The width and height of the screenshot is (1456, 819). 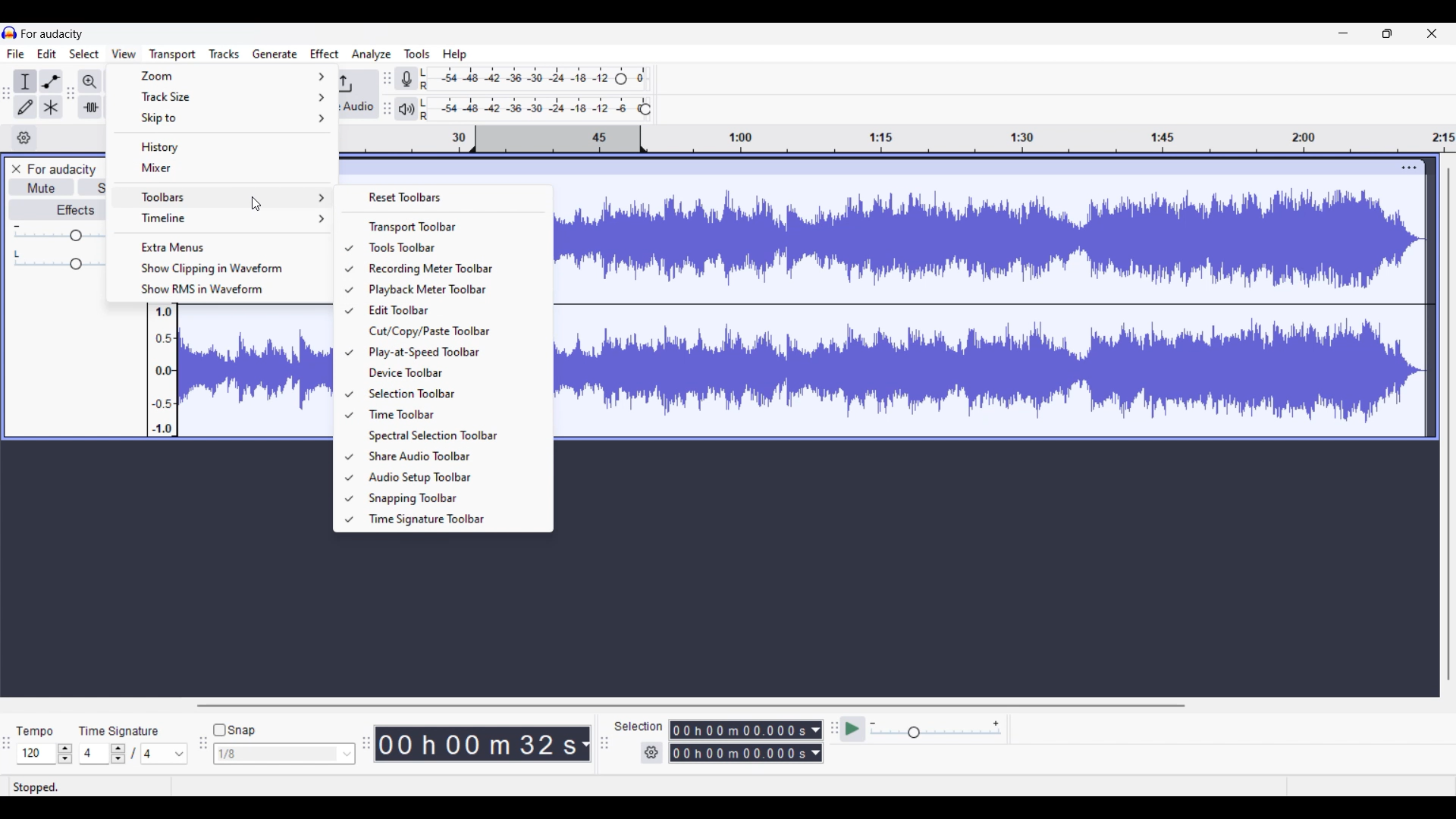 What do you see at coordinates (739, 730) in the screenshot?
I see `Selection duration tracker` at bounding box center [739, 730].